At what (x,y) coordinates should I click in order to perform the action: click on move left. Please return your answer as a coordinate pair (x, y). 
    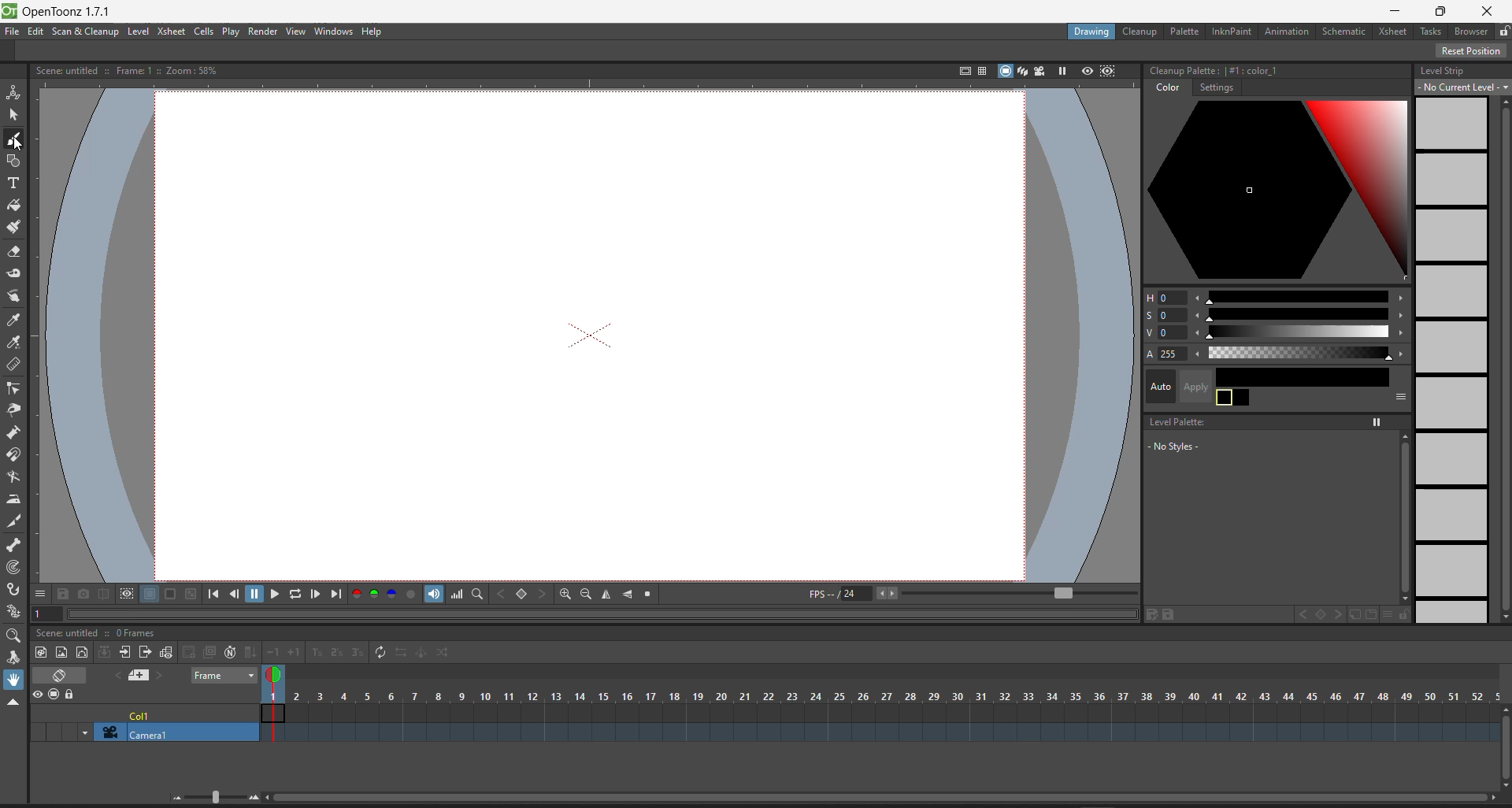
    Looking at the image, I should click on (1199, 315).